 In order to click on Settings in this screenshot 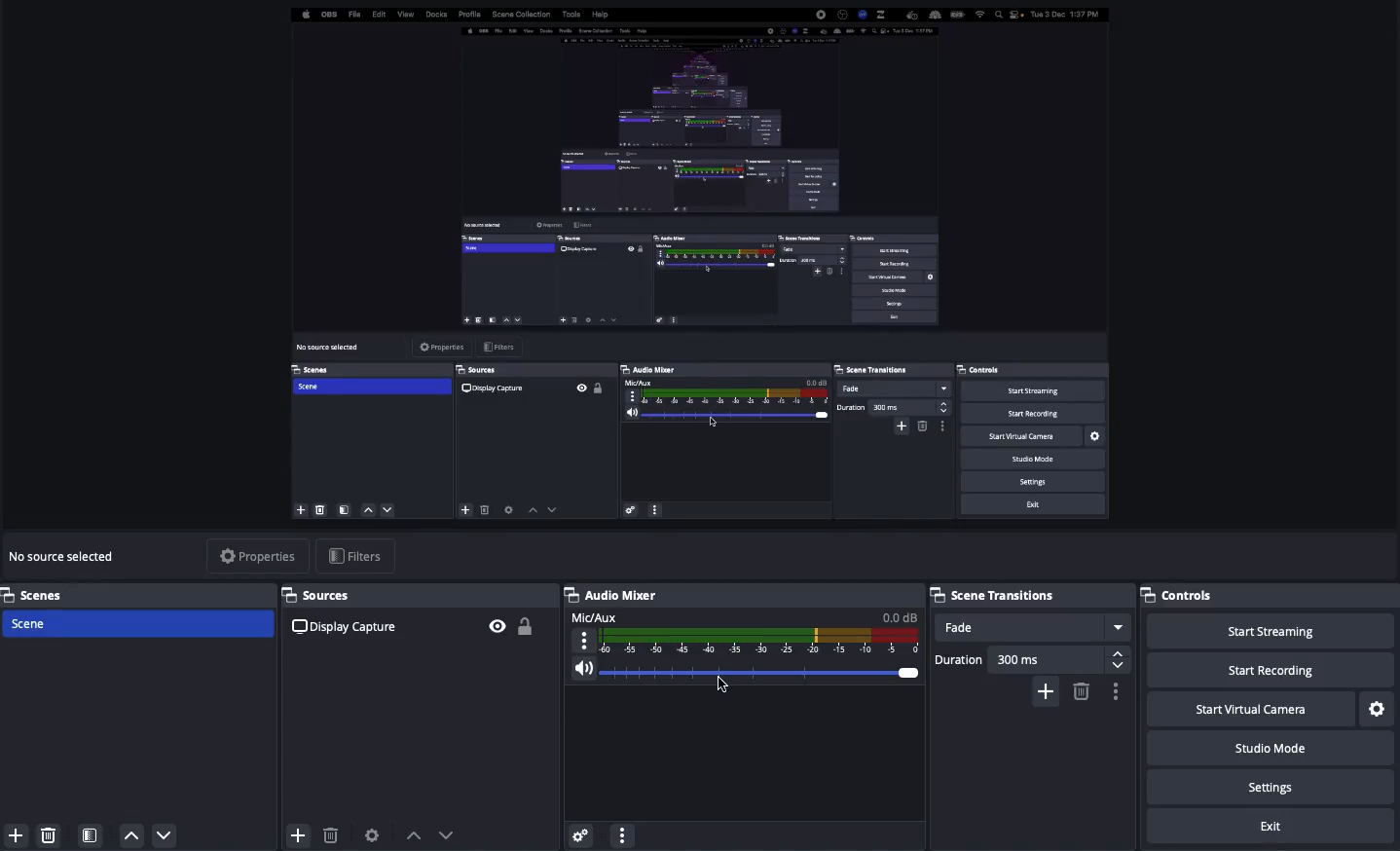, I will do `click(1273, 788)`.